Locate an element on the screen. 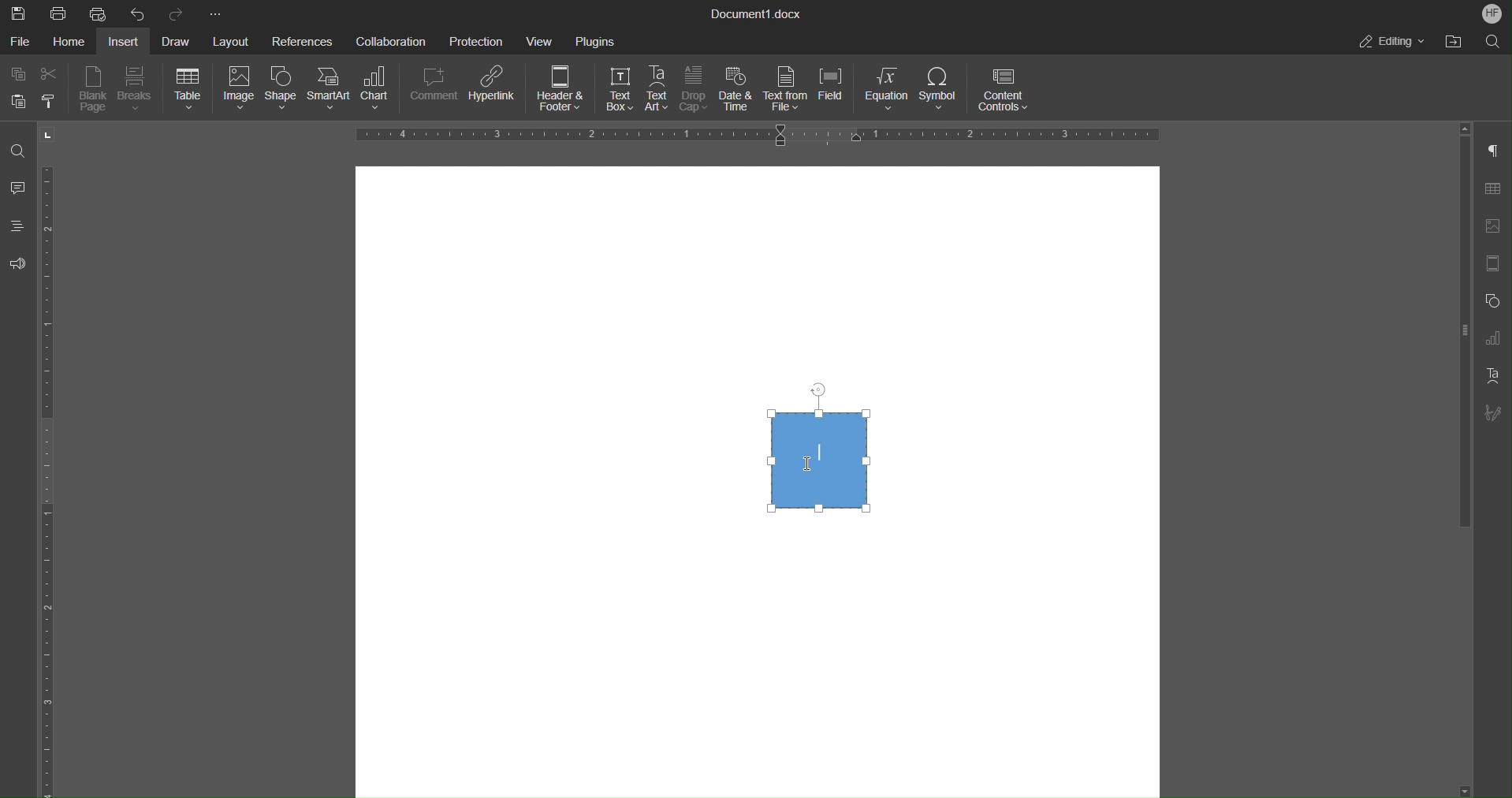 This screenshot has height=798, width=1512. Open File Location is located at coordinates (1453, 42).